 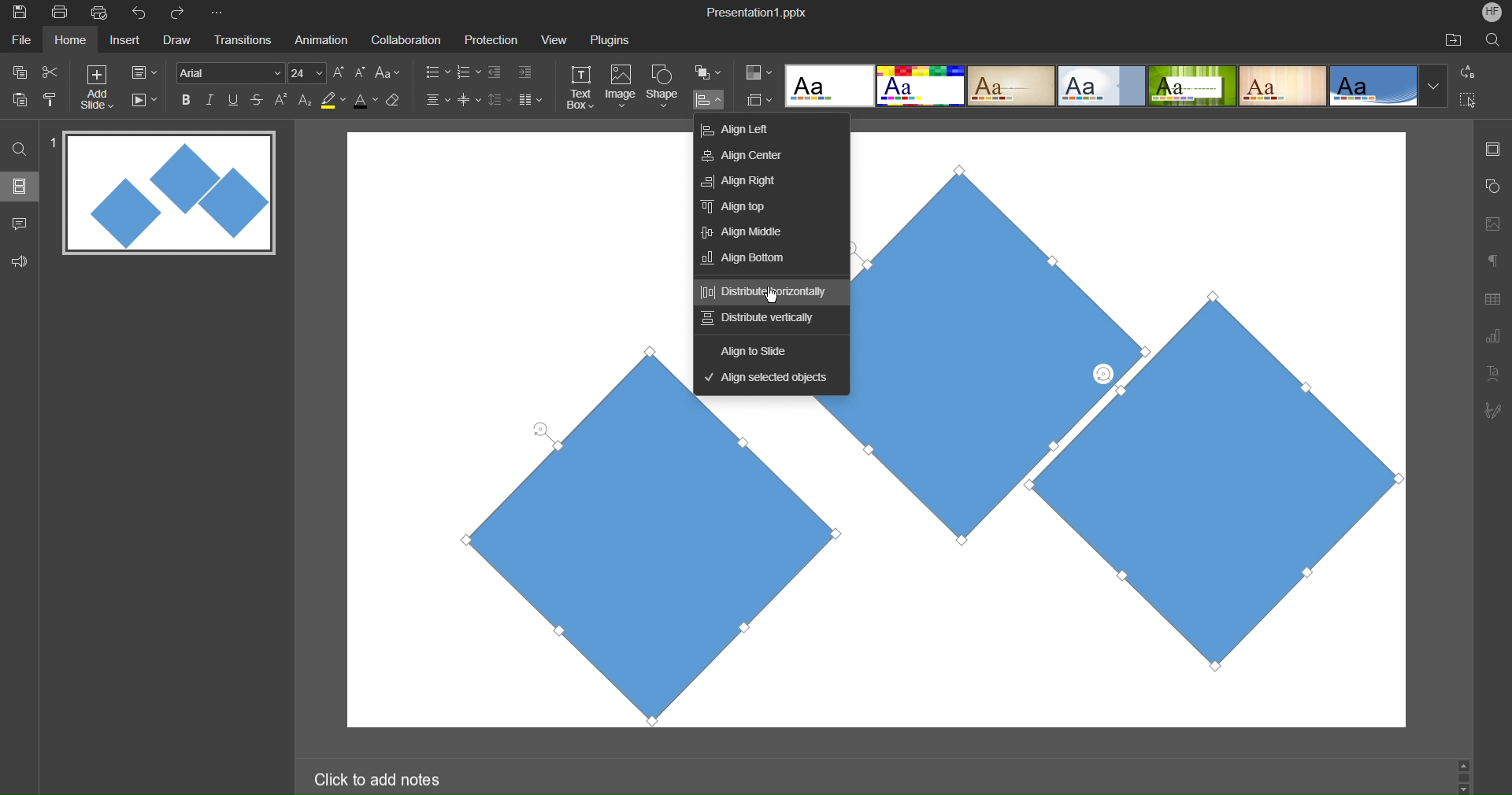 What do you see at coordinates (234, 100) in the screenshot?
I see `Underline` at bounding box center [234, 100].